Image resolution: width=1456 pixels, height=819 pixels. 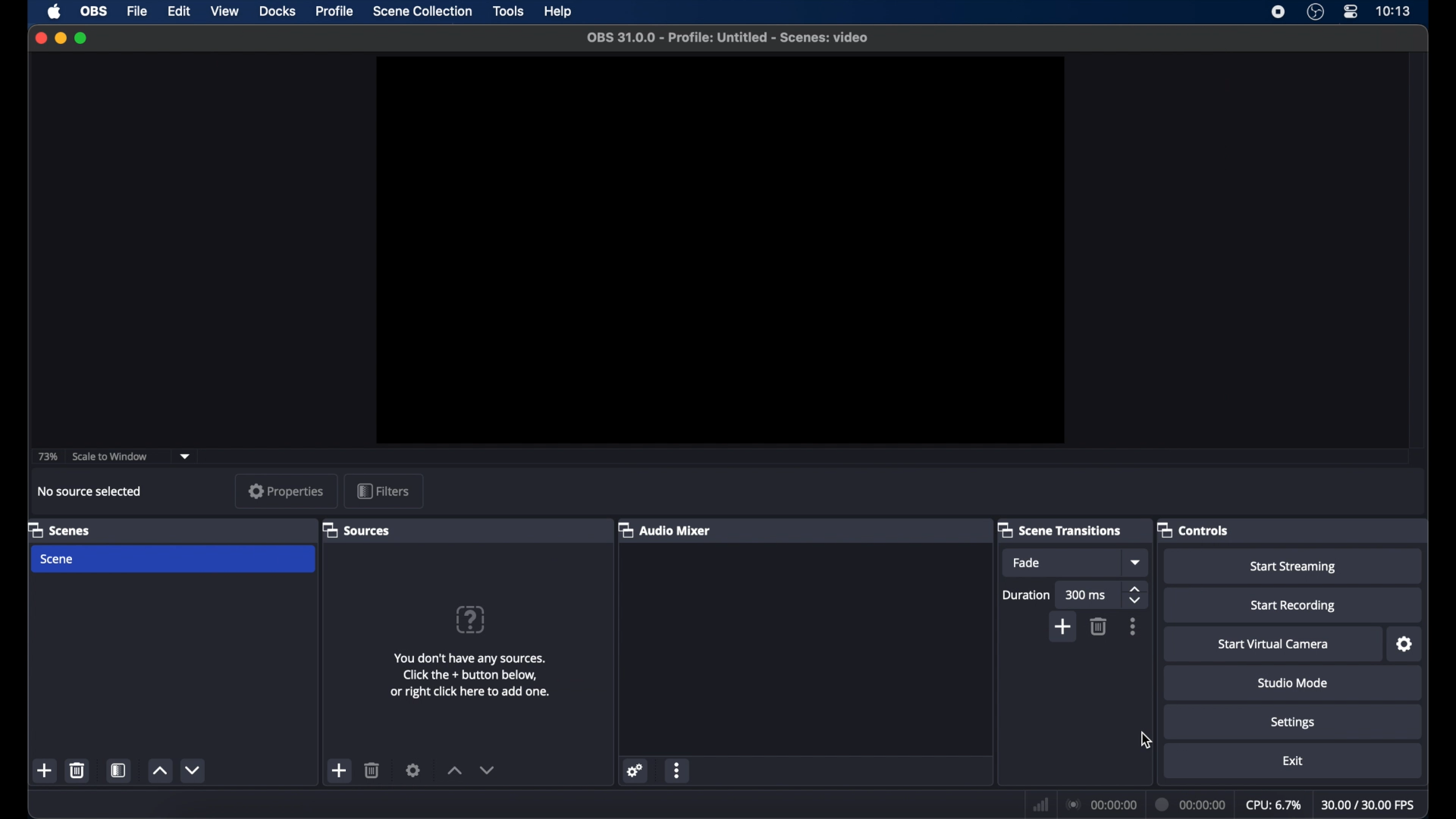 I want to click on scene filters, so click(x=120, y=770).